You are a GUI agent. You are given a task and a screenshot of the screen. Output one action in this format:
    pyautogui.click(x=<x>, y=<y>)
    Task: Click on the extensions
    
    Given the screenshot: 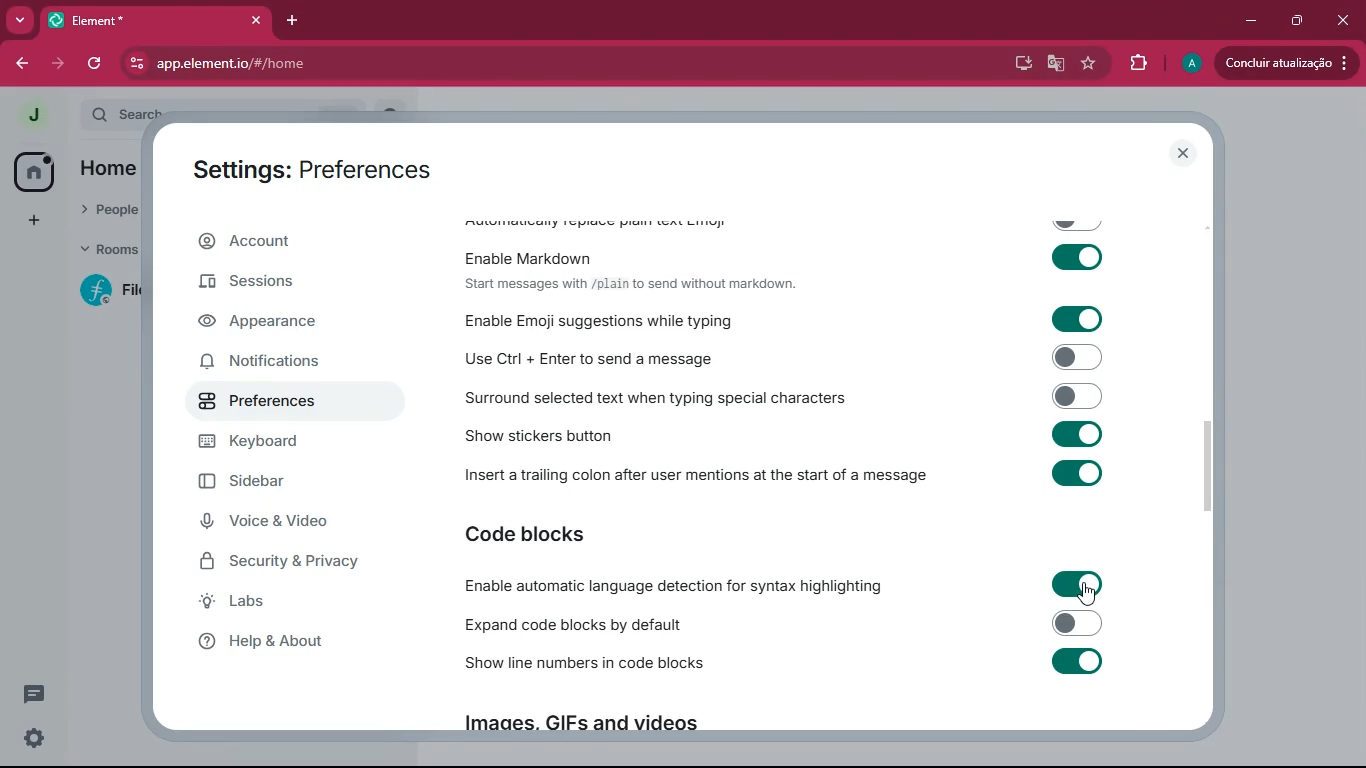 What is the action you would take?
    pyautogui.click(x=1137, y=66)
    